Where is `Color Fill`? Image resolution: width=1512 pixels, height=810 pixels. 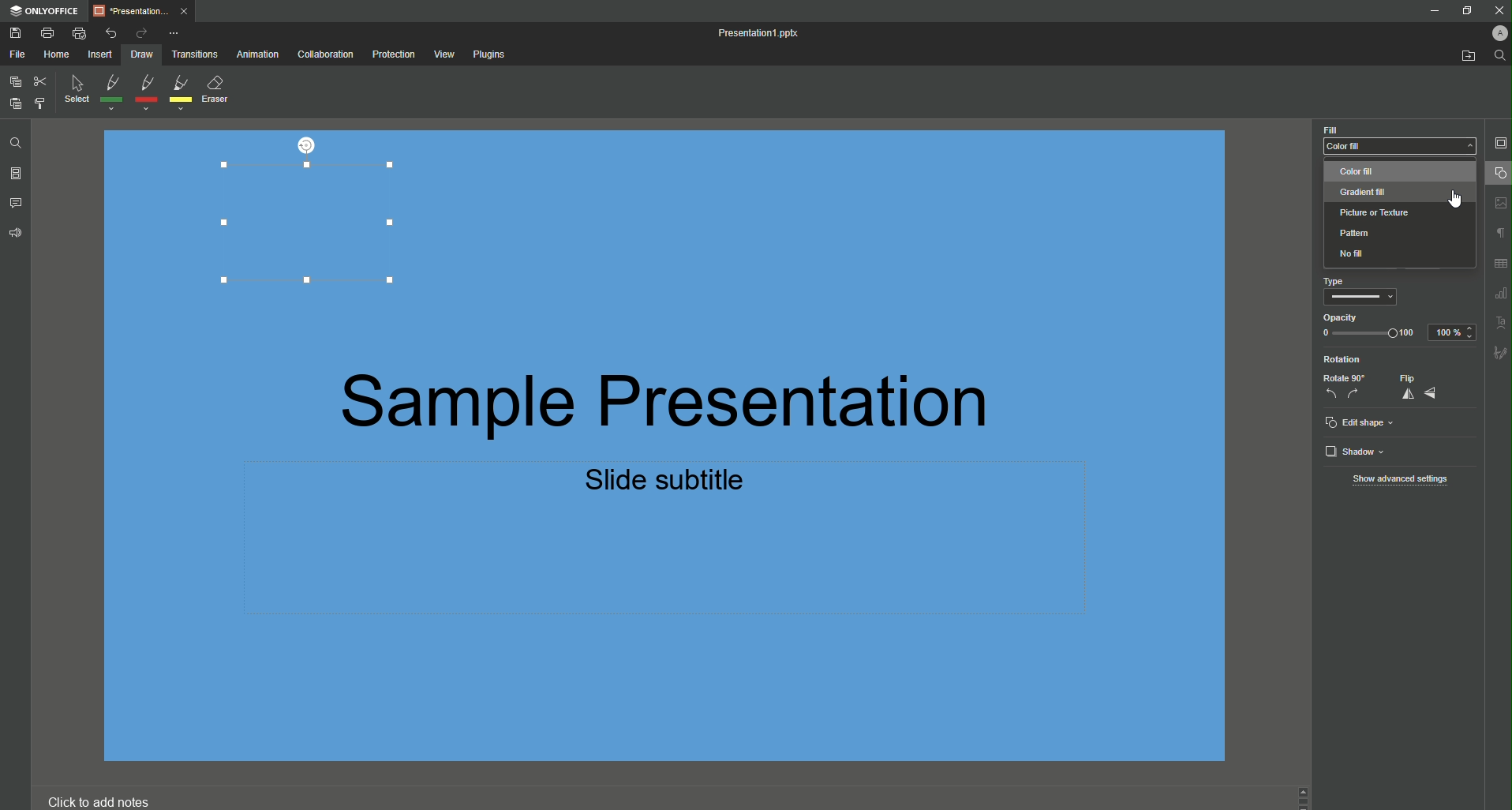
Color Fill is located at coordinates (1400, 139).